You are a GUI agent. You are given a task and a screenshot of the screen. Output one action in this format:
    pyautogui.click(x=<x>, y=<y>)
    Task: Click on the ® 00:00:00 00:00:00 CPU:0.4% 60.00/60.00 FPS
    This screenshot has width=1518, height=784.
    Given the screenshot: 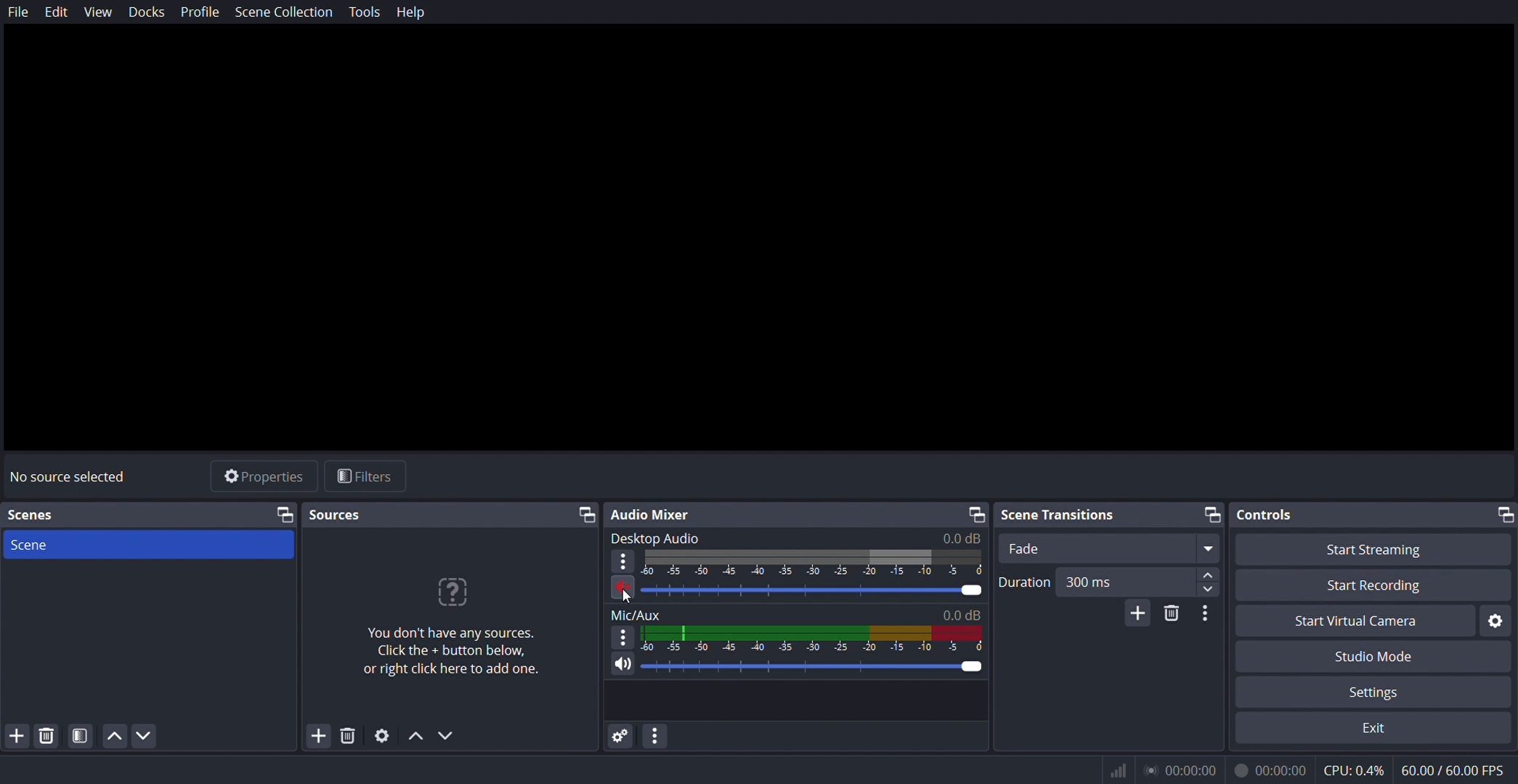 What is the action you would take?
    pyautogui.click(x=1326, y=769)
    